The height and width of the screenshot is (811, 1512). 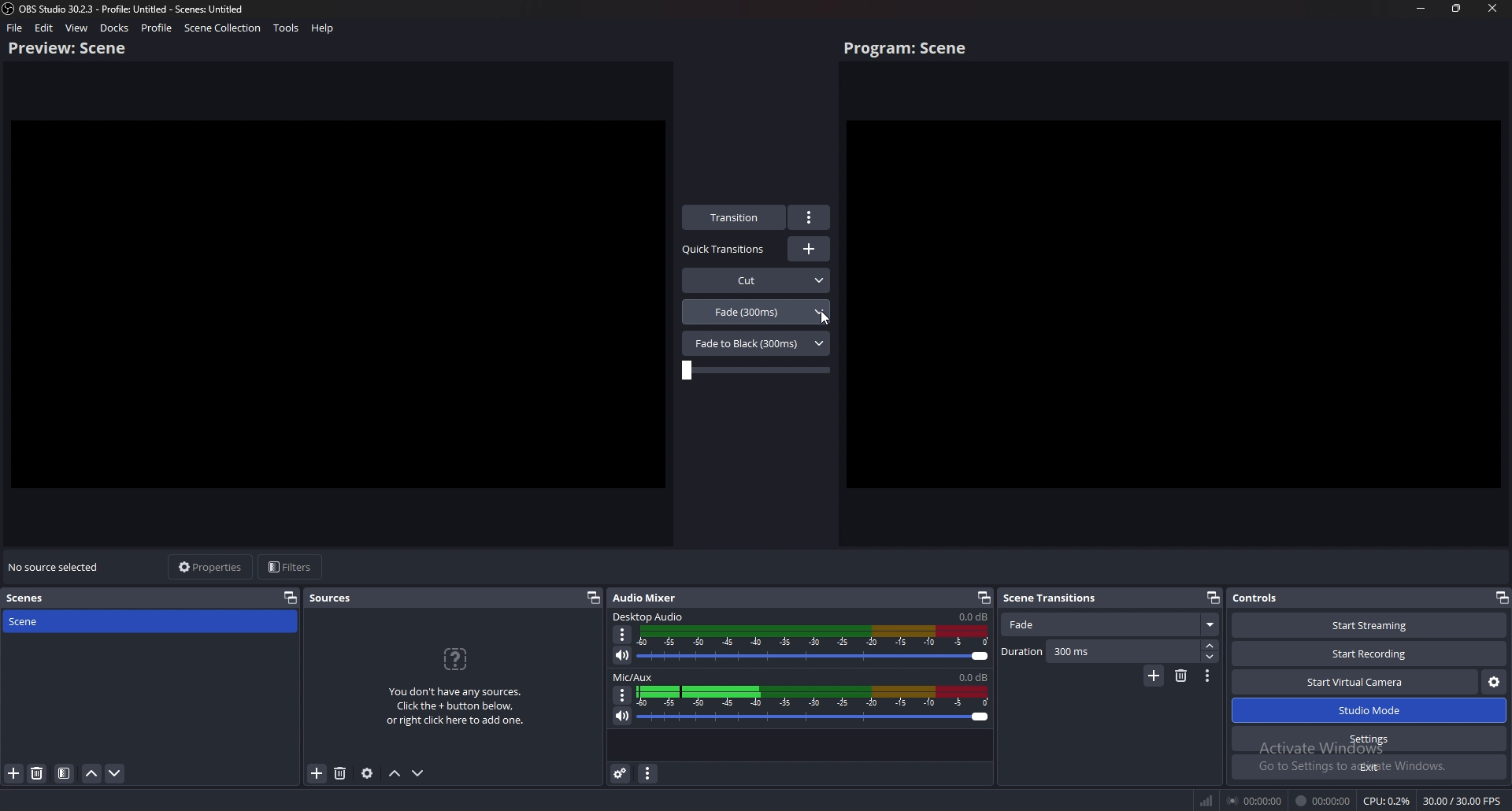 I want to click on Controls, so click(x=1279, y=598).